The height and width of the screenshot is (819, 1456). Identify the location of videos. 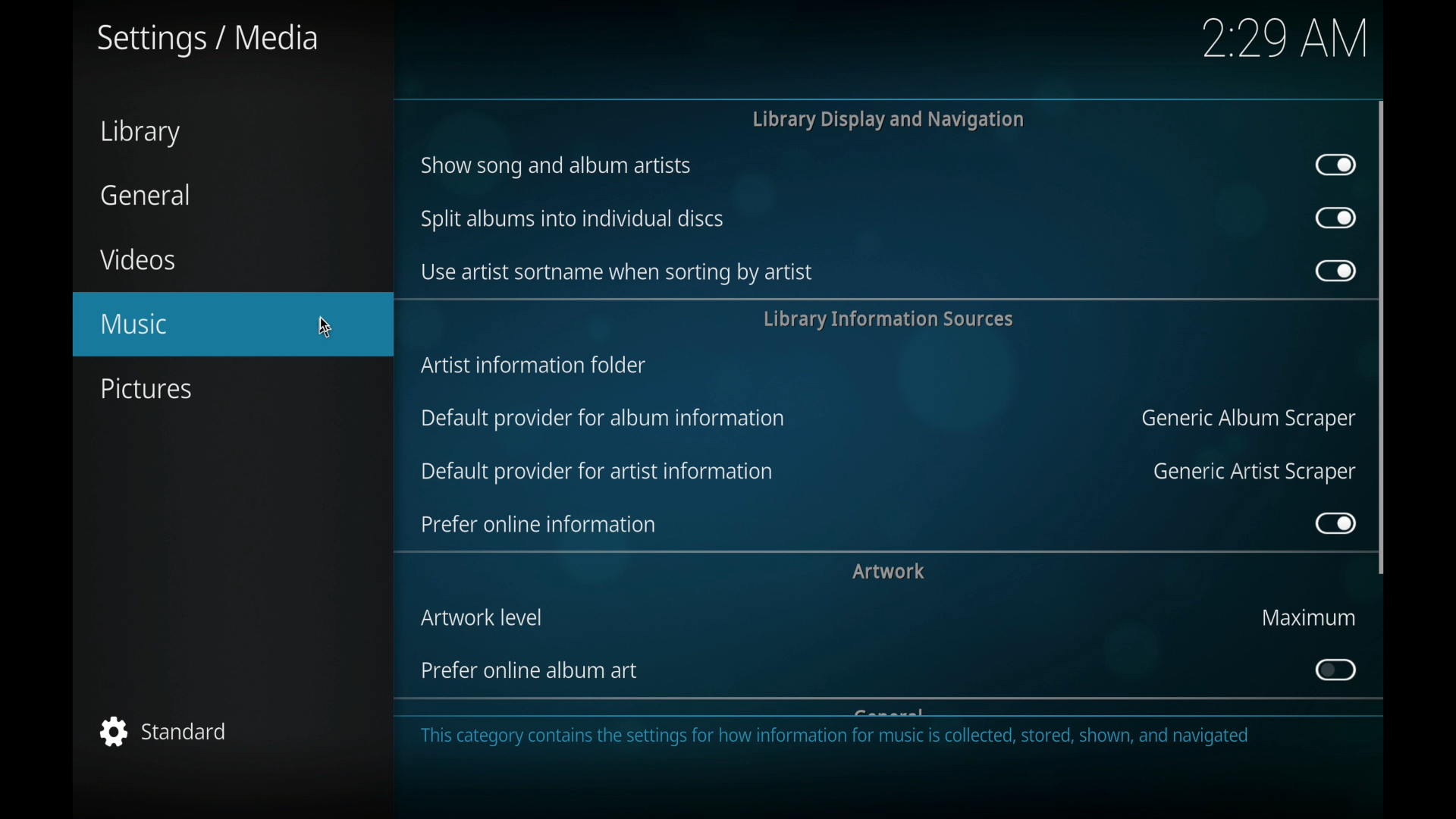
(140, 260).